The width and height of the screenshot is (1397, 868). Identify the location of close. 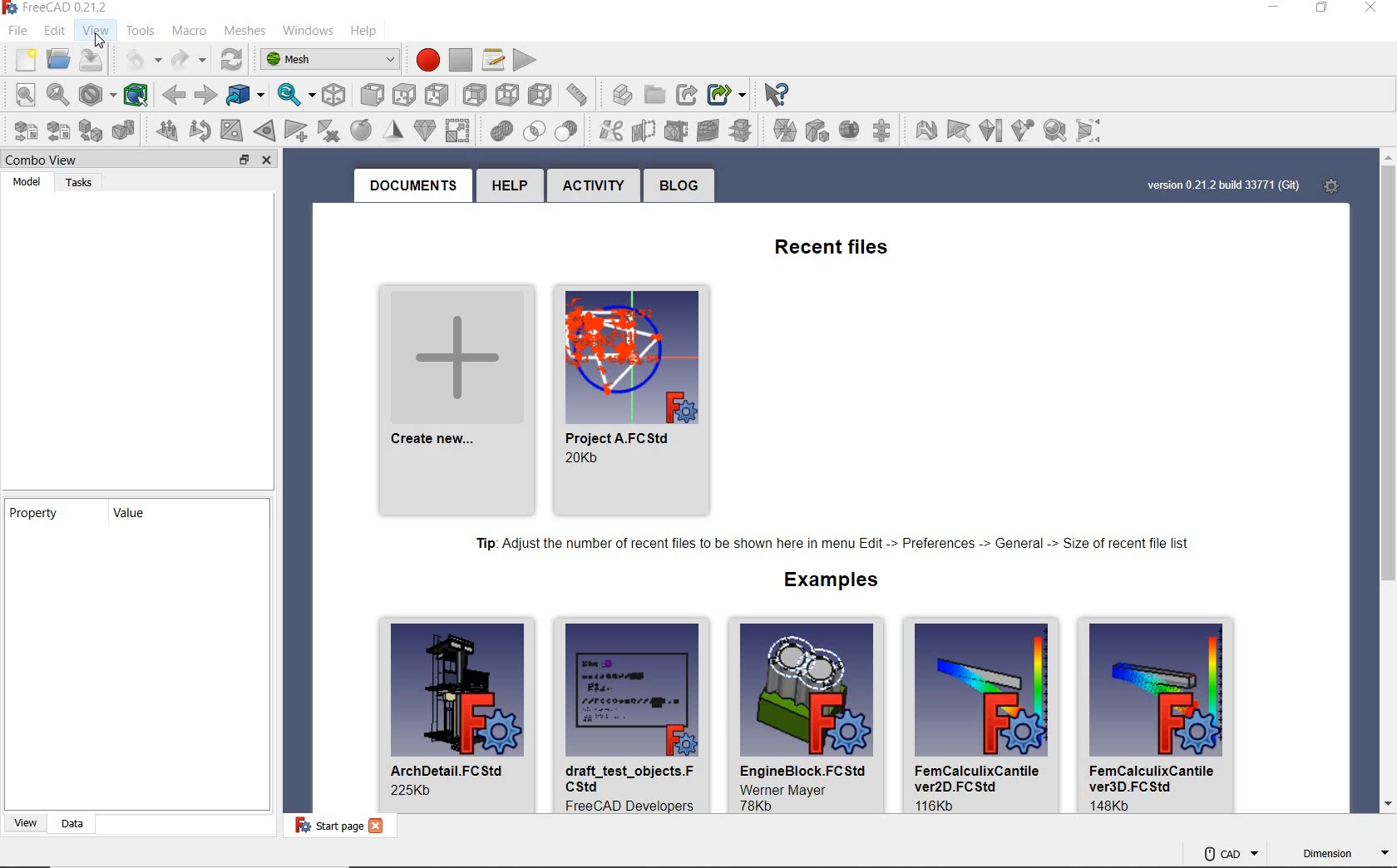
(1367, 11).